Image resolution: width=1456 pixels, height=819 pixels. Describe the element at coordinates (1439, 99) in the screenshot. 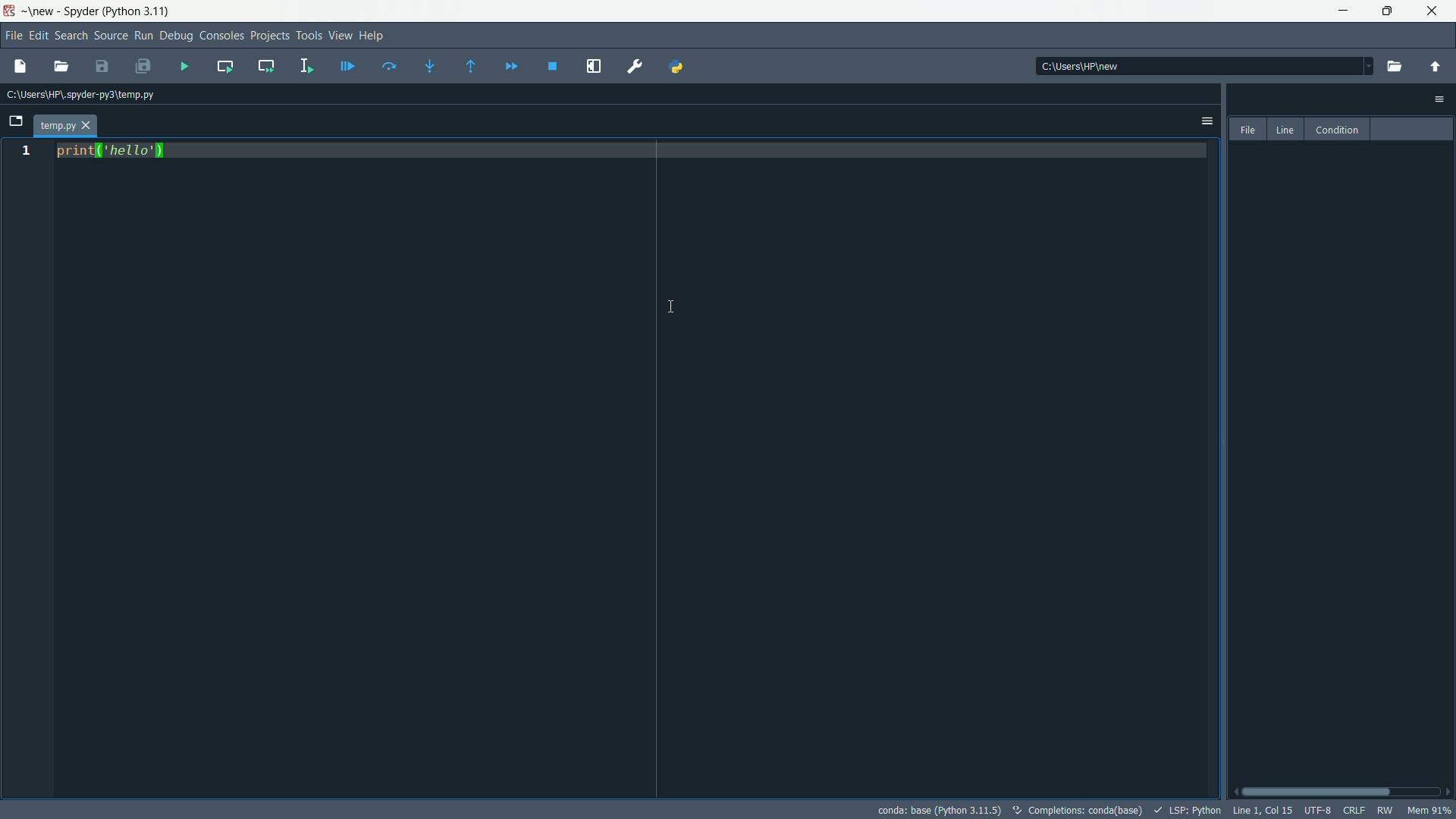

I see `plots settings` at that location.